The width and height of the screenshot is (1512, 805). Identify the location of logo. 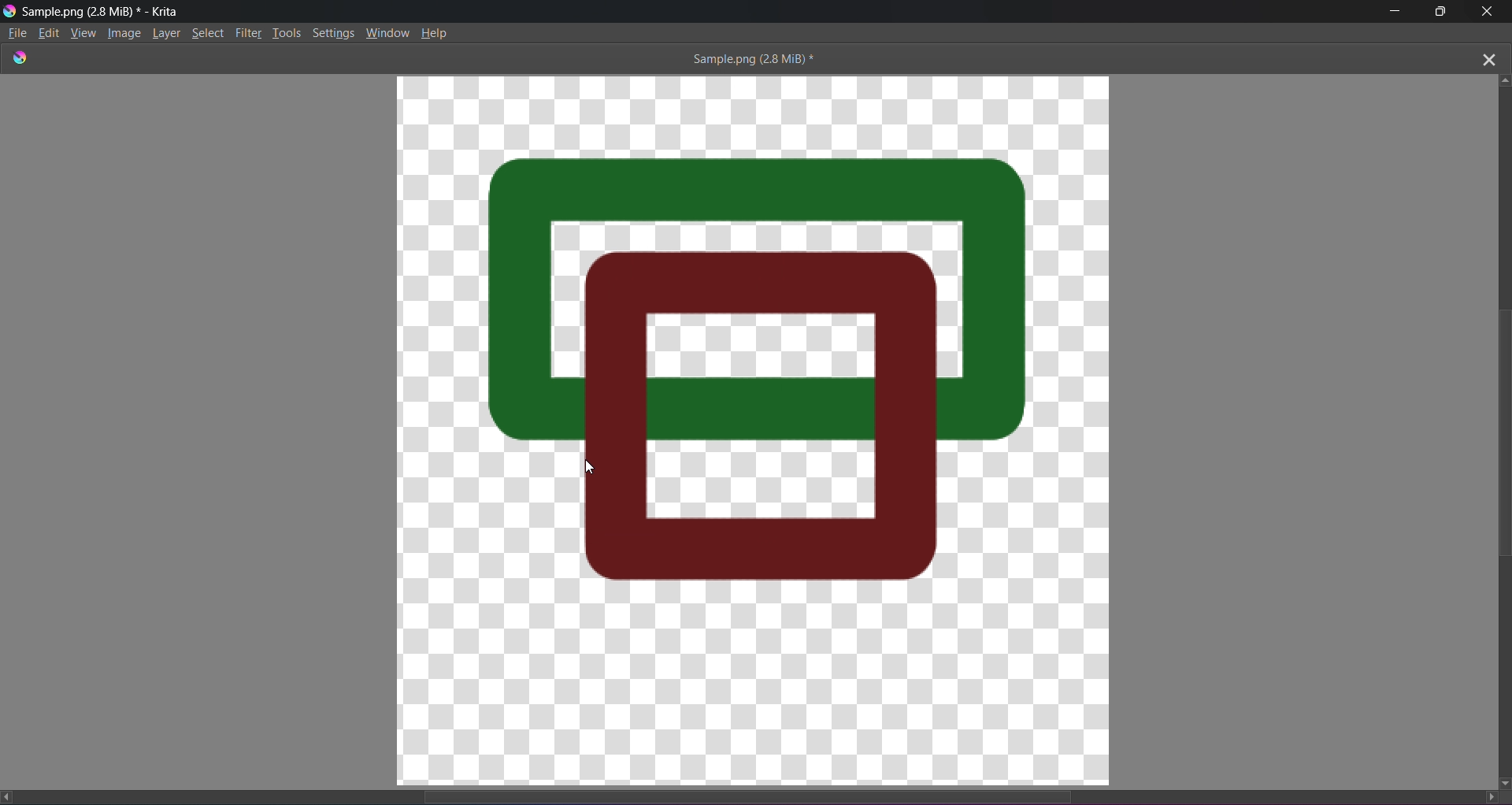
(20, 57).